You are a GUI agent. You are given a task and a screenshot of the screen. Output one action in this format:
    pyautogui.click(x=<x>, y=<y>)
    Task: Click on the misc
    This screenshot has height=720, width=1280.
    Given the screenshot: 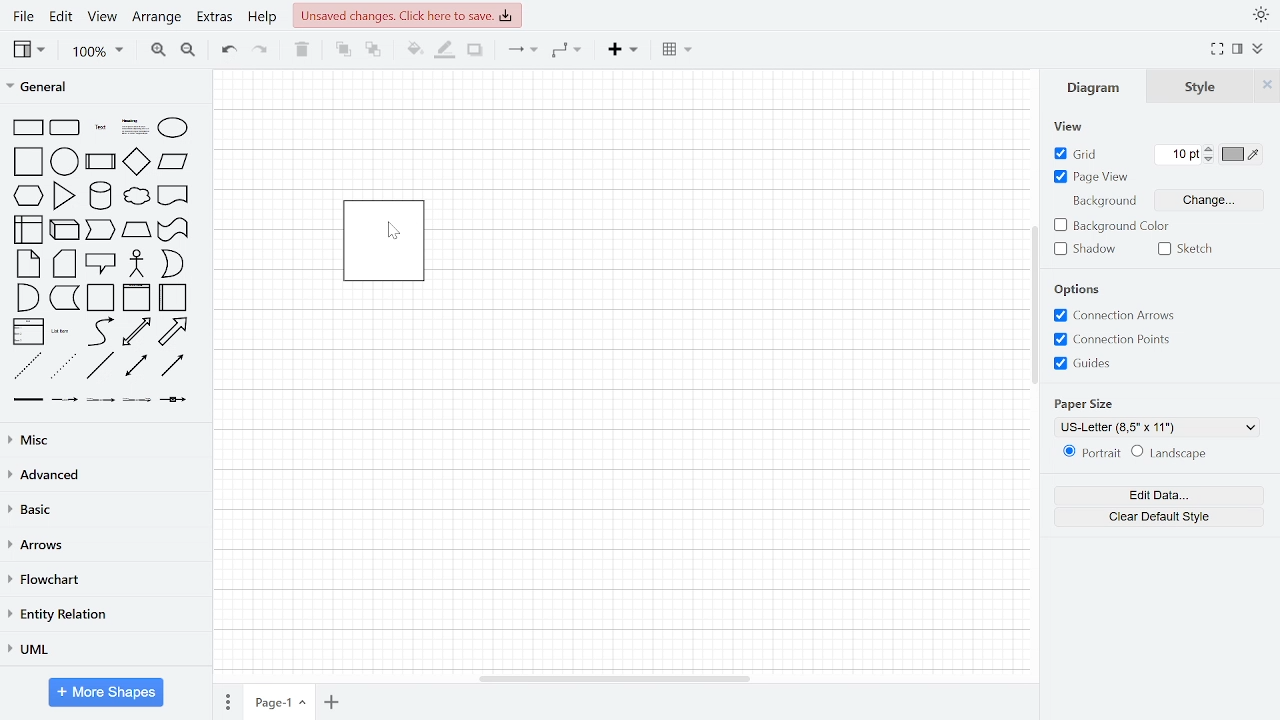 What is the action you would take?
    pyautogui.click(x=103, y=437)
    